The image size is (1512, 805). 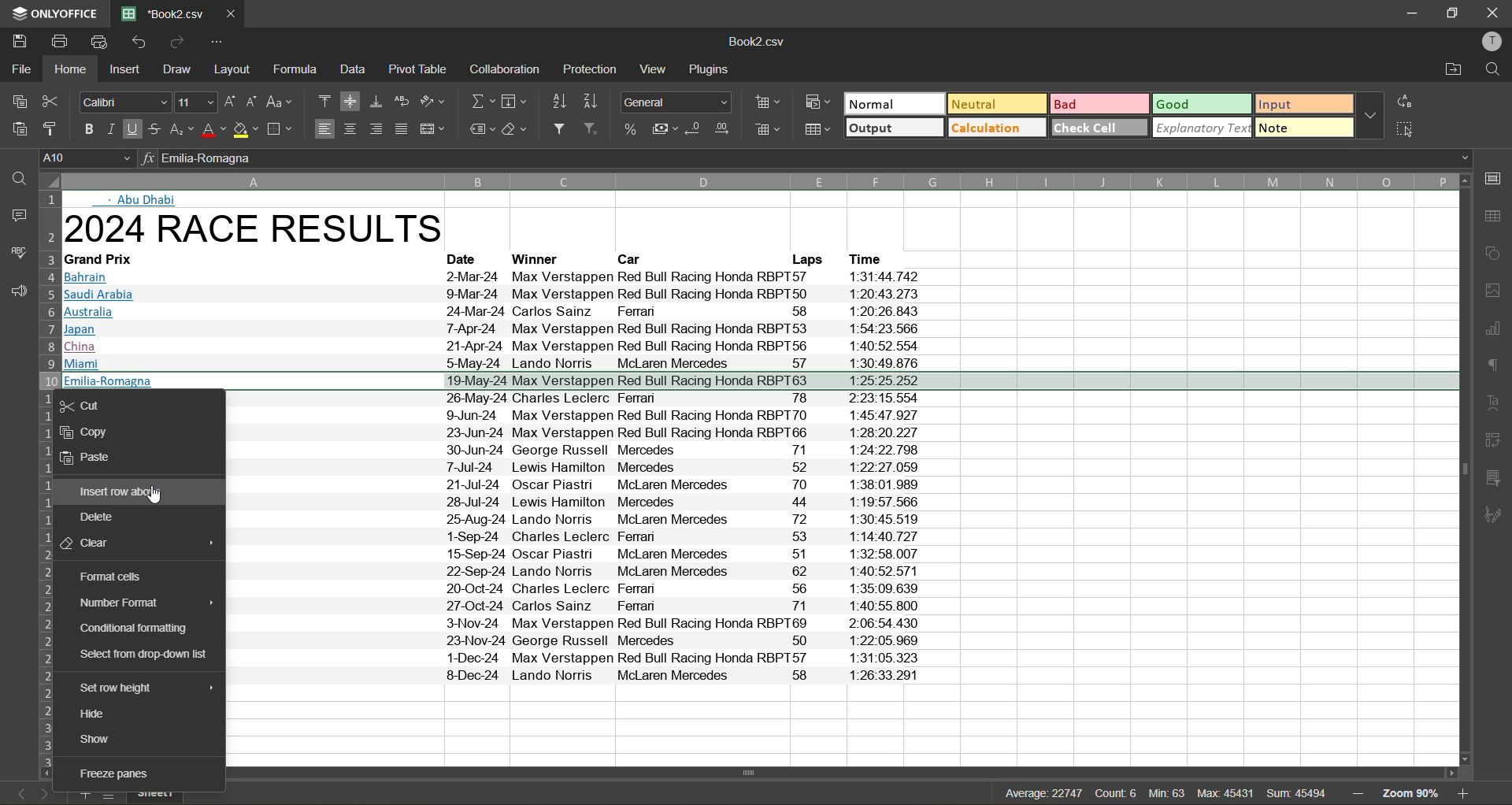 I want to click on columns, so click(x=761, y=180).